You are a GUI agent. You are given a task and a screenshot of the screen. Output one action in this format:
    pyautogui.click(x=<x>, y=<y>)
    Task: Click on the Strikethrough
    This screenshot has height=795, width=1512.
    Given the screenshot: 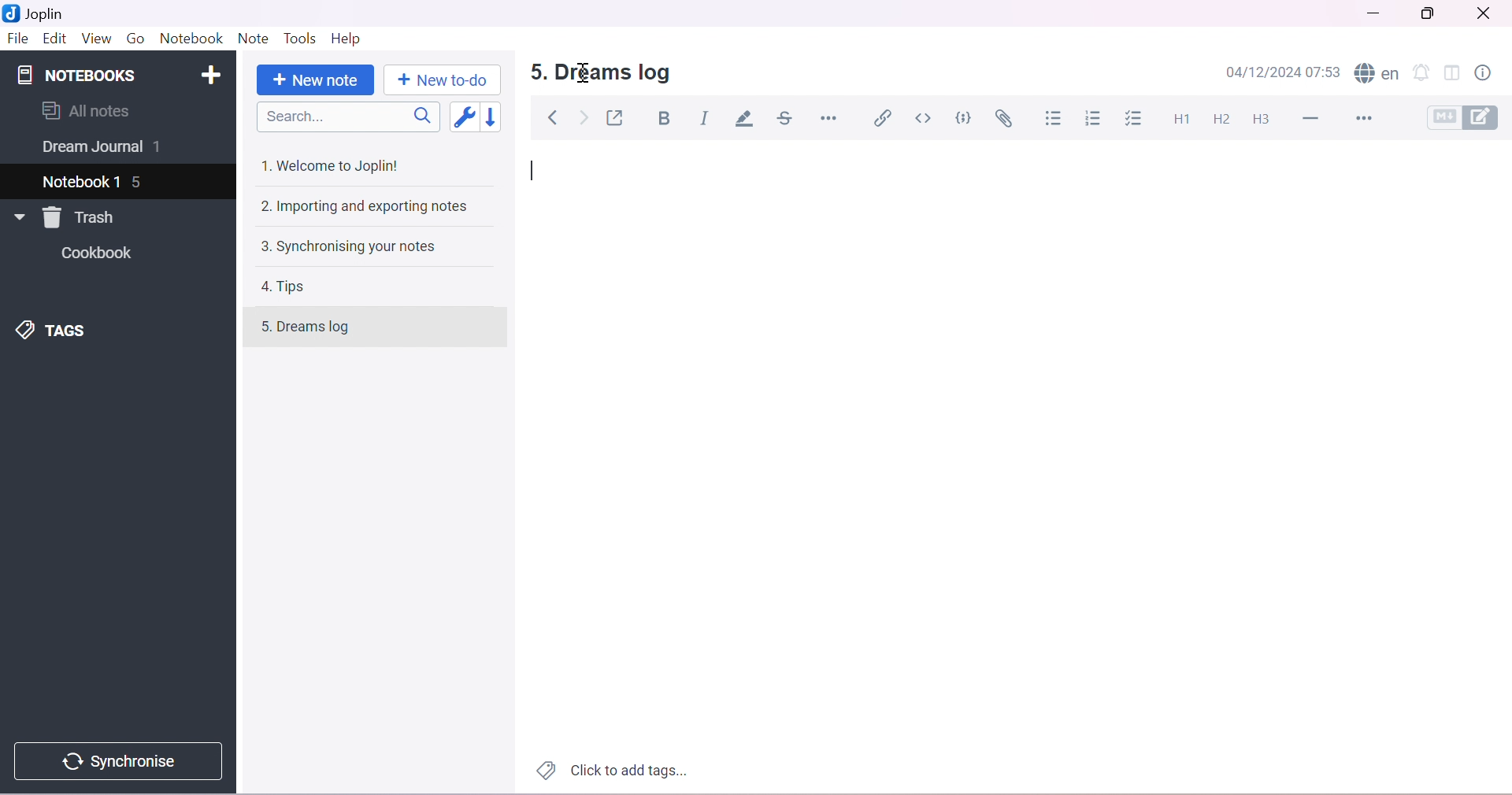 What is the action you would take?
    pyautogui.click(x=788, y=119)
    